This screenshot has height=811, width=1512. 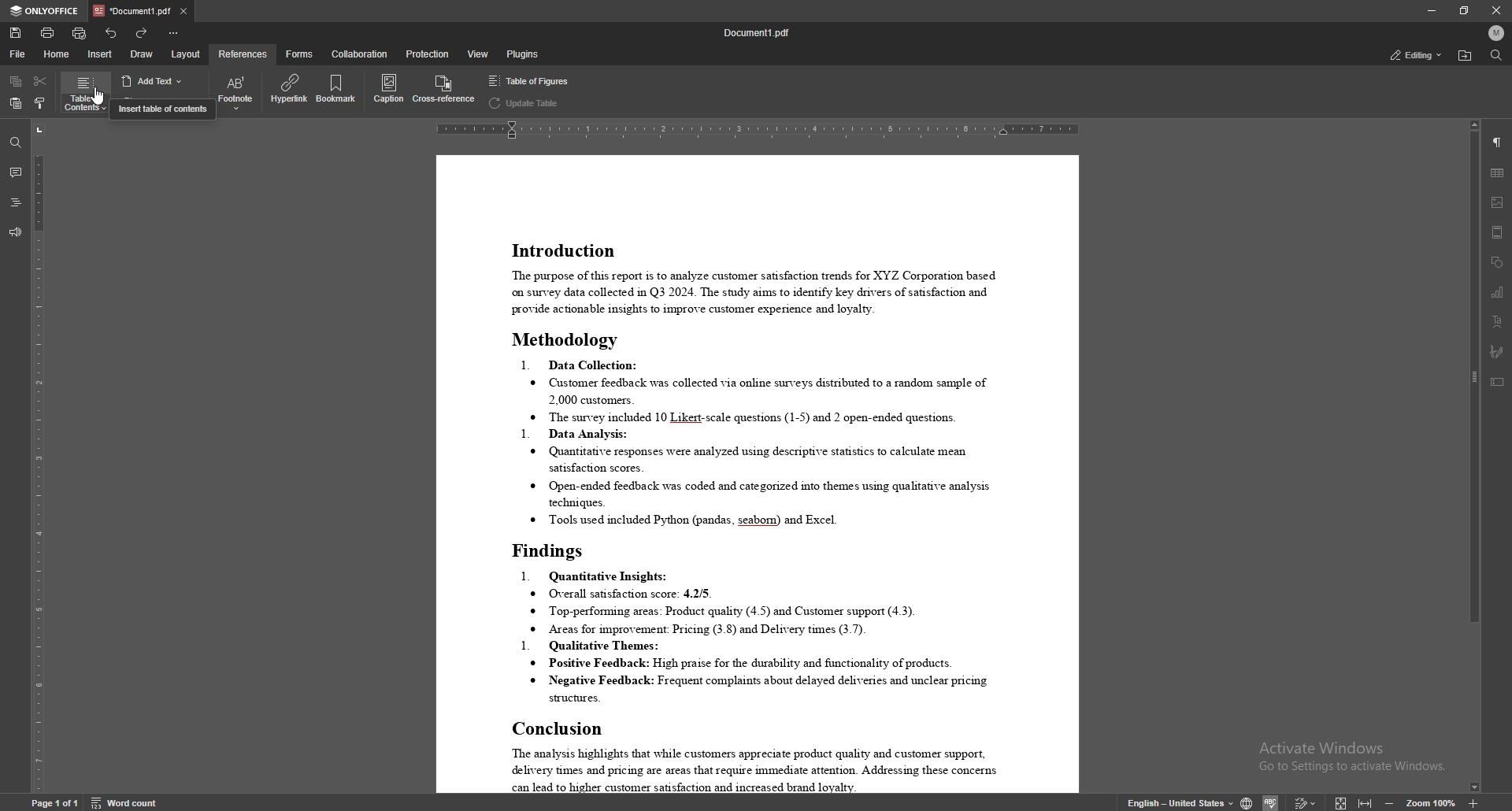 What do you see at coordinates (1496, 382) in the screenshot?
I see `text box` at bounding box center [1496, 382].